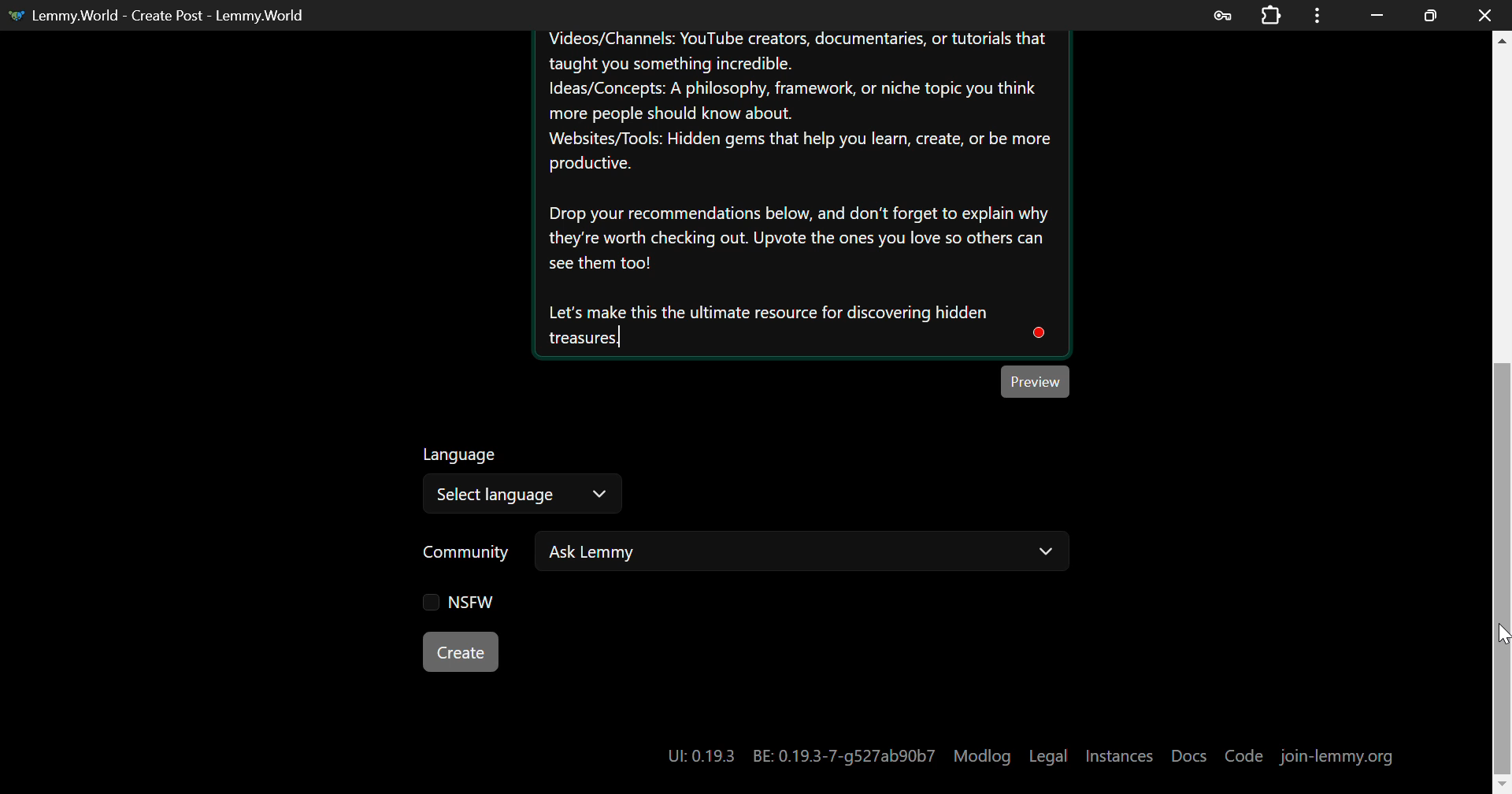 Image resolution: width=1512 pixels, height=794 pixels. Describe the element at coordinates (1048, 756) in the screenshot. I see `Legal` at that location.